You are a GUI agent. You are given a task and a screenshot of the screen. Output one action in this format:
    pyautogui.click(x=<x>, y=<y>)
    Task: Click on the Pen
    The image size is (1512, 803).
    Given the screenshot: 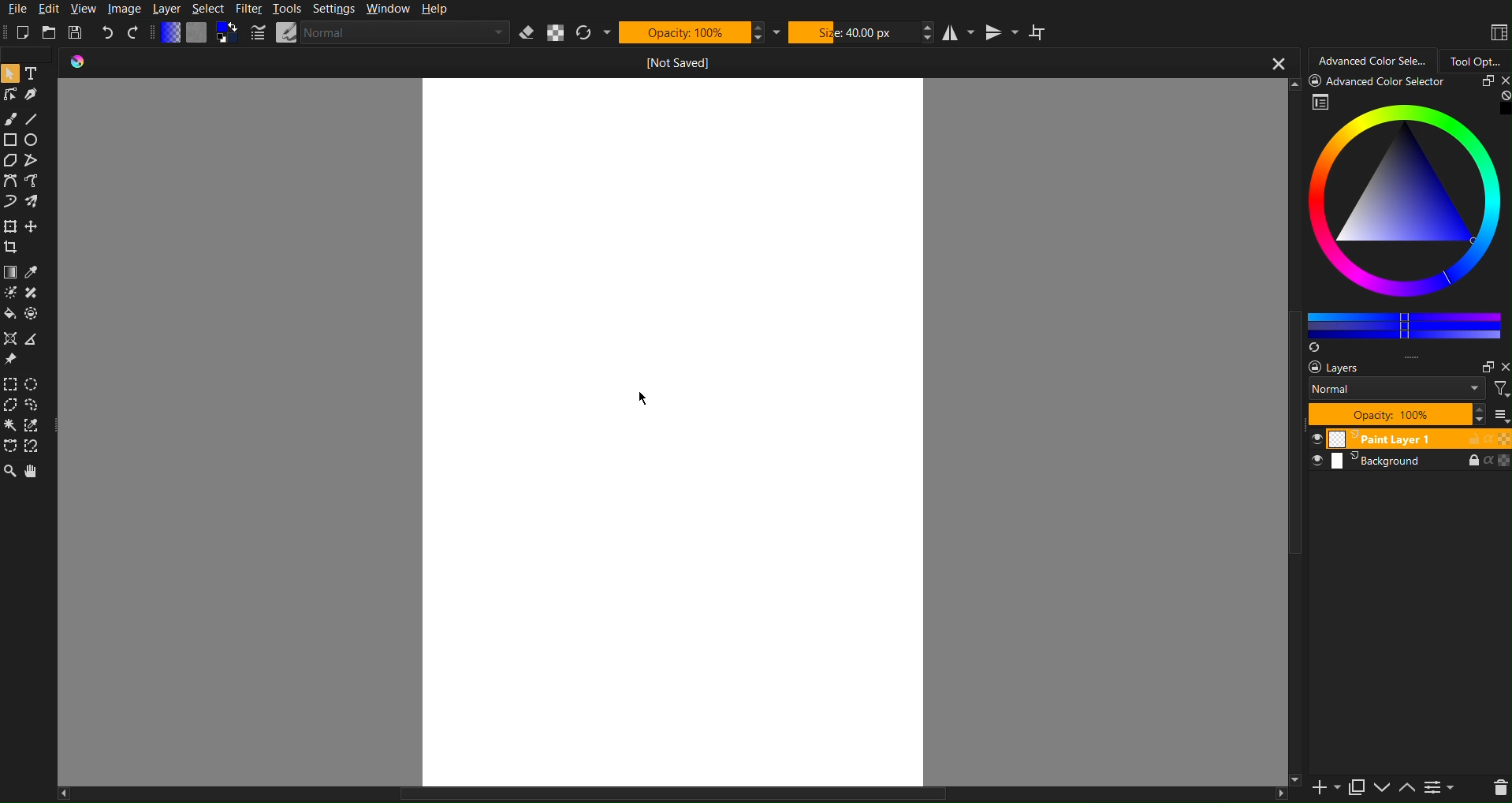 What is the action you would take?
    pyautogui.click(x=32, y=94)
    